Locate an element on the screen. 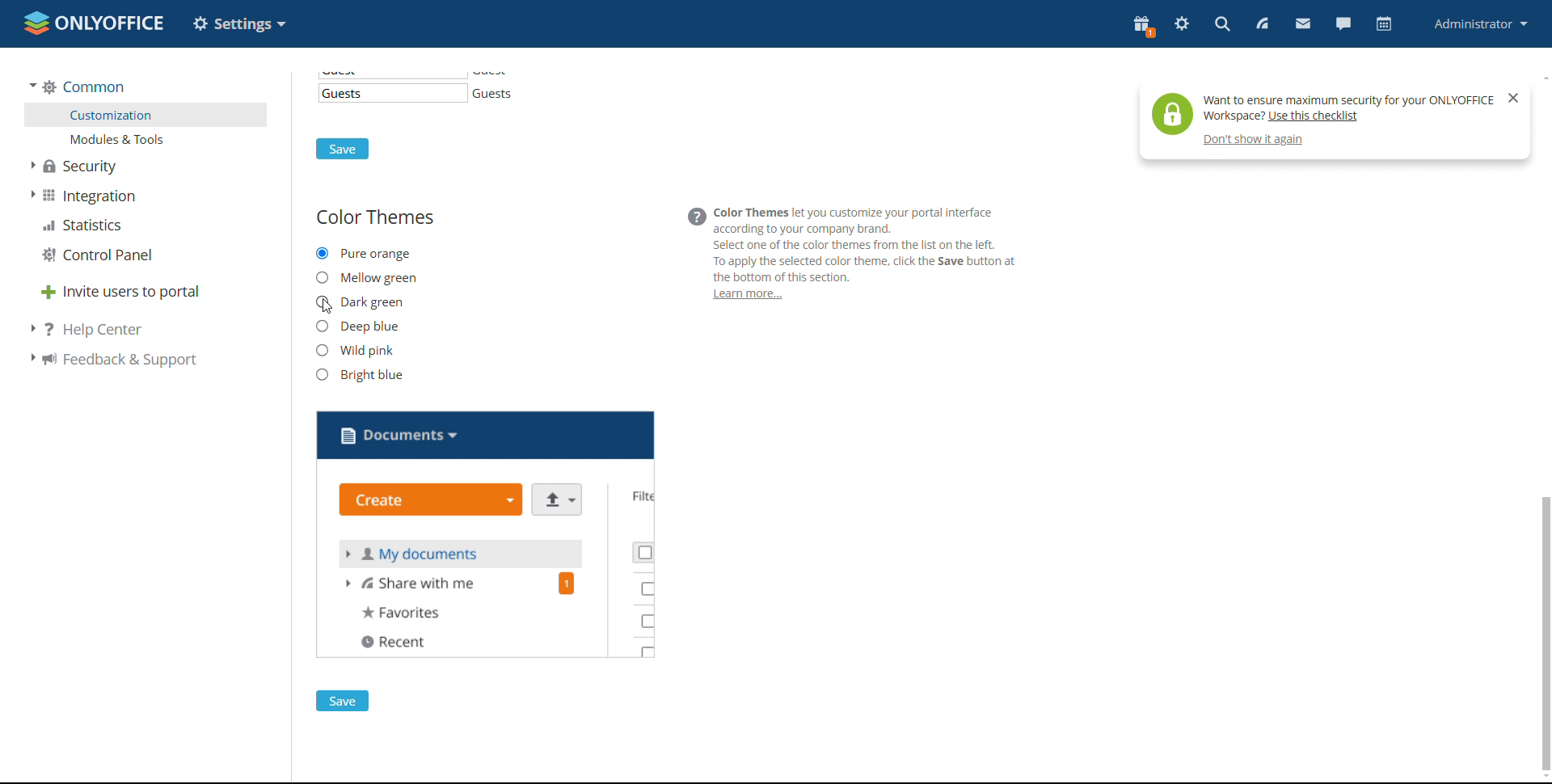  dark green is located at coordinates (359, 302).